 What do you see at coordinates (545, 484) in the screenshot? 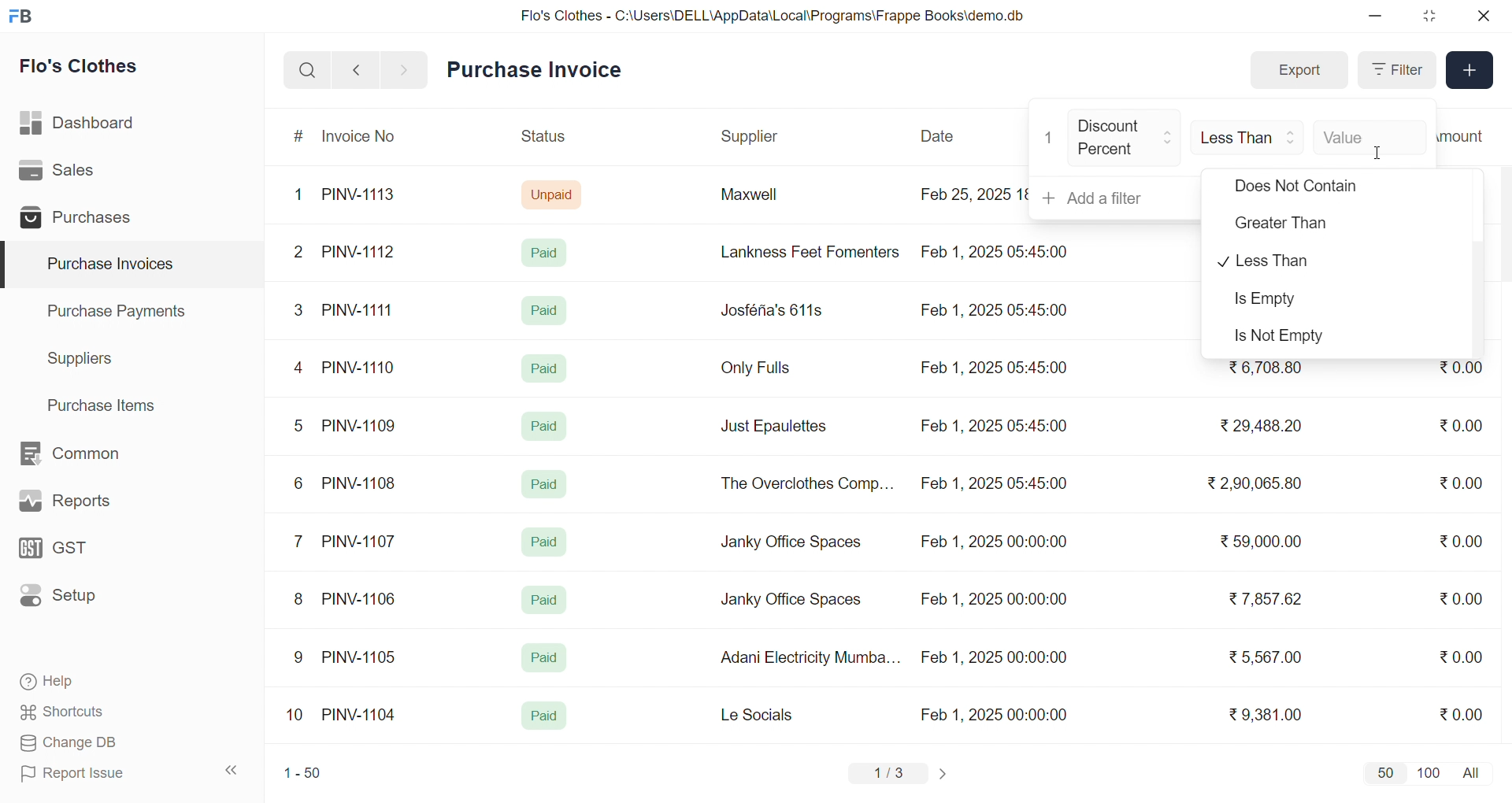
I see `Paid` at bounding box center [545, 484].